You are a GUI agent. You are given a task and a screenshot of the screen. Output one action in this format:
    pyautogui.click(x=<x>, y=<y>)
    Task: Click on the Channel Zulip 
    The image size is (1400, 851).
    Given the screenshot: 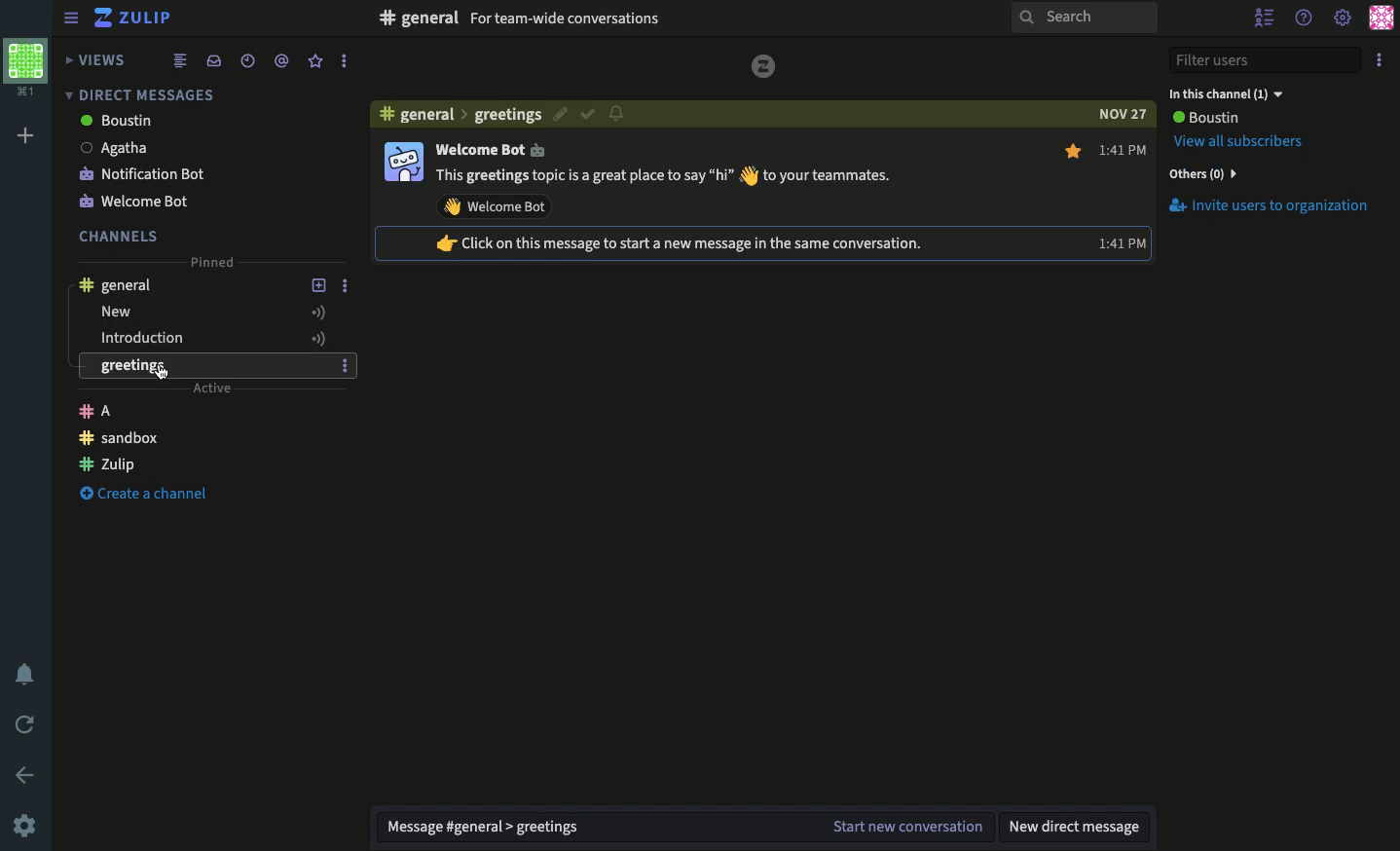 What is the action you would take?
    pyautogui.click(x=205, y=464)
    